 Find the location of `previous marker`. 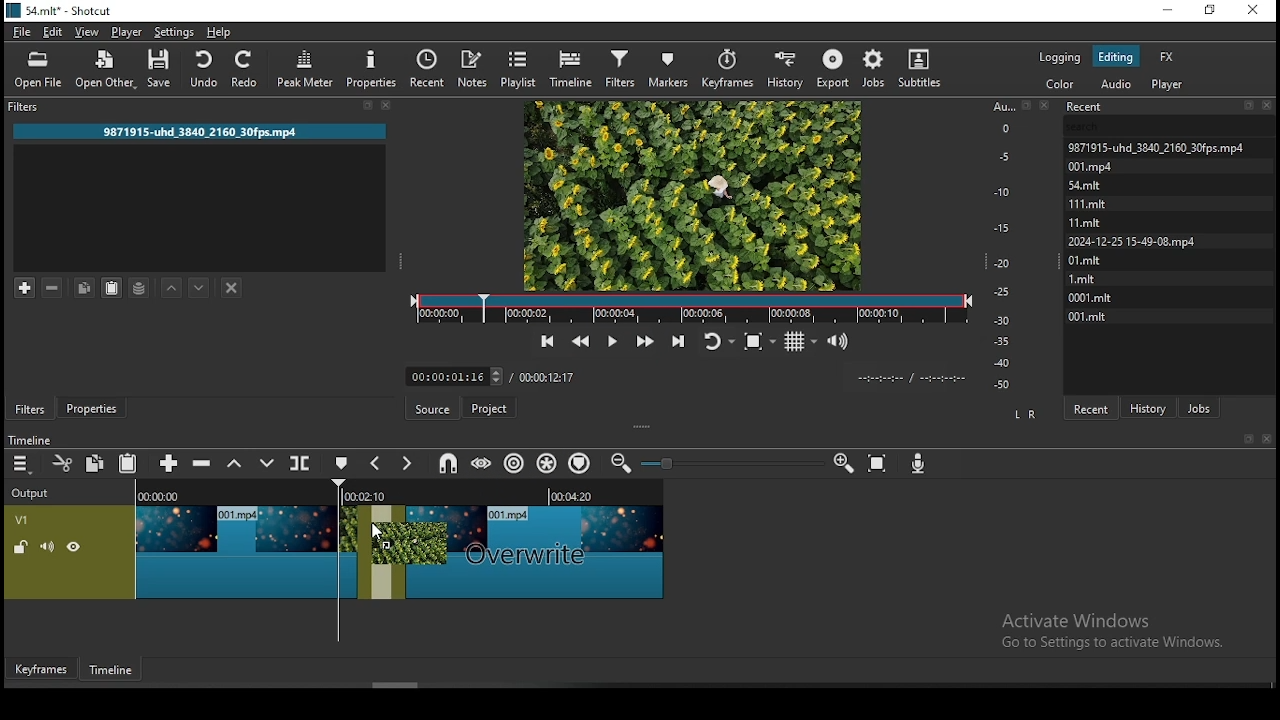

previous marker is located at coordinates (375, 464).